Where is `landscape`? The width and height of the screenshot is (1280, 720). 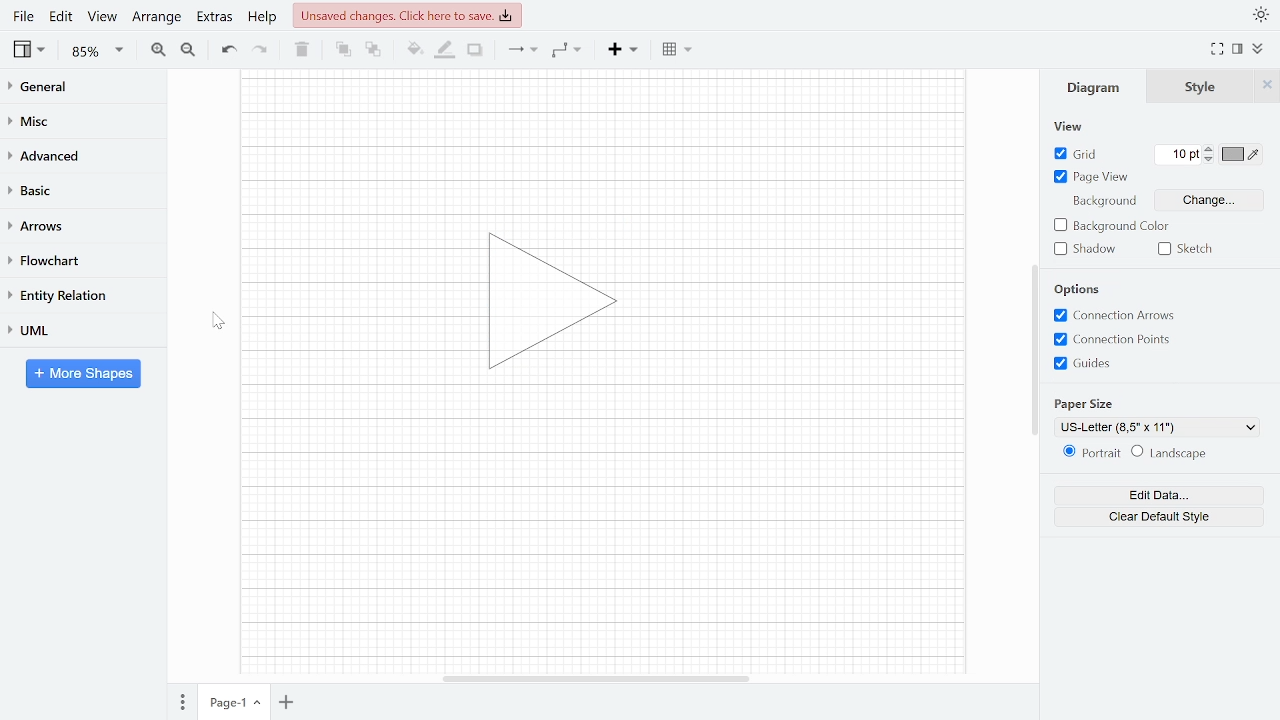
landscape is located at coordinates (1170, 454).